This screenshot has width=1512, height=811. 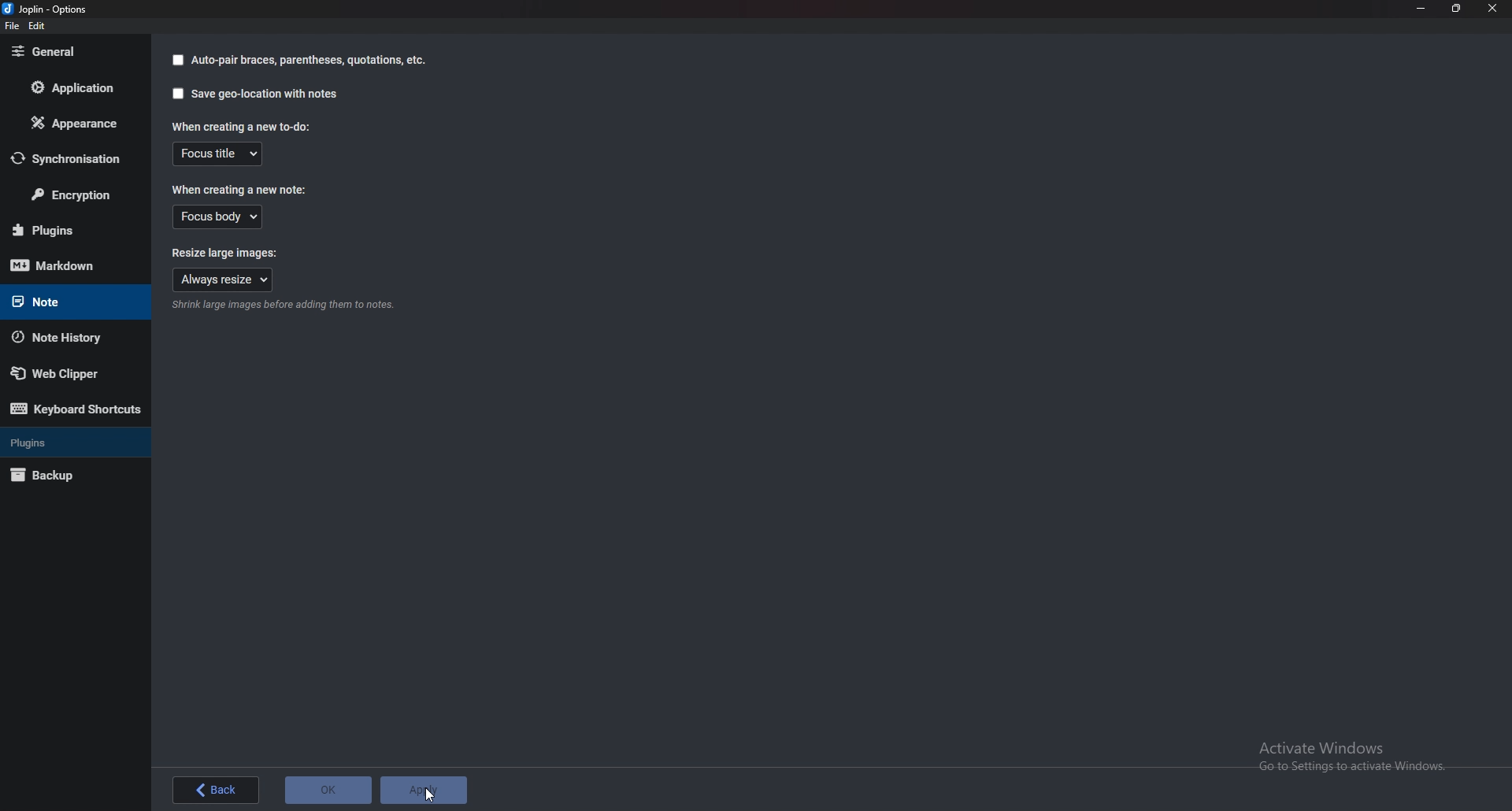 What do you see at coordinates (66, 372) in the screenshot?
I see `Web Clipper` at bounding box center [66, 372].